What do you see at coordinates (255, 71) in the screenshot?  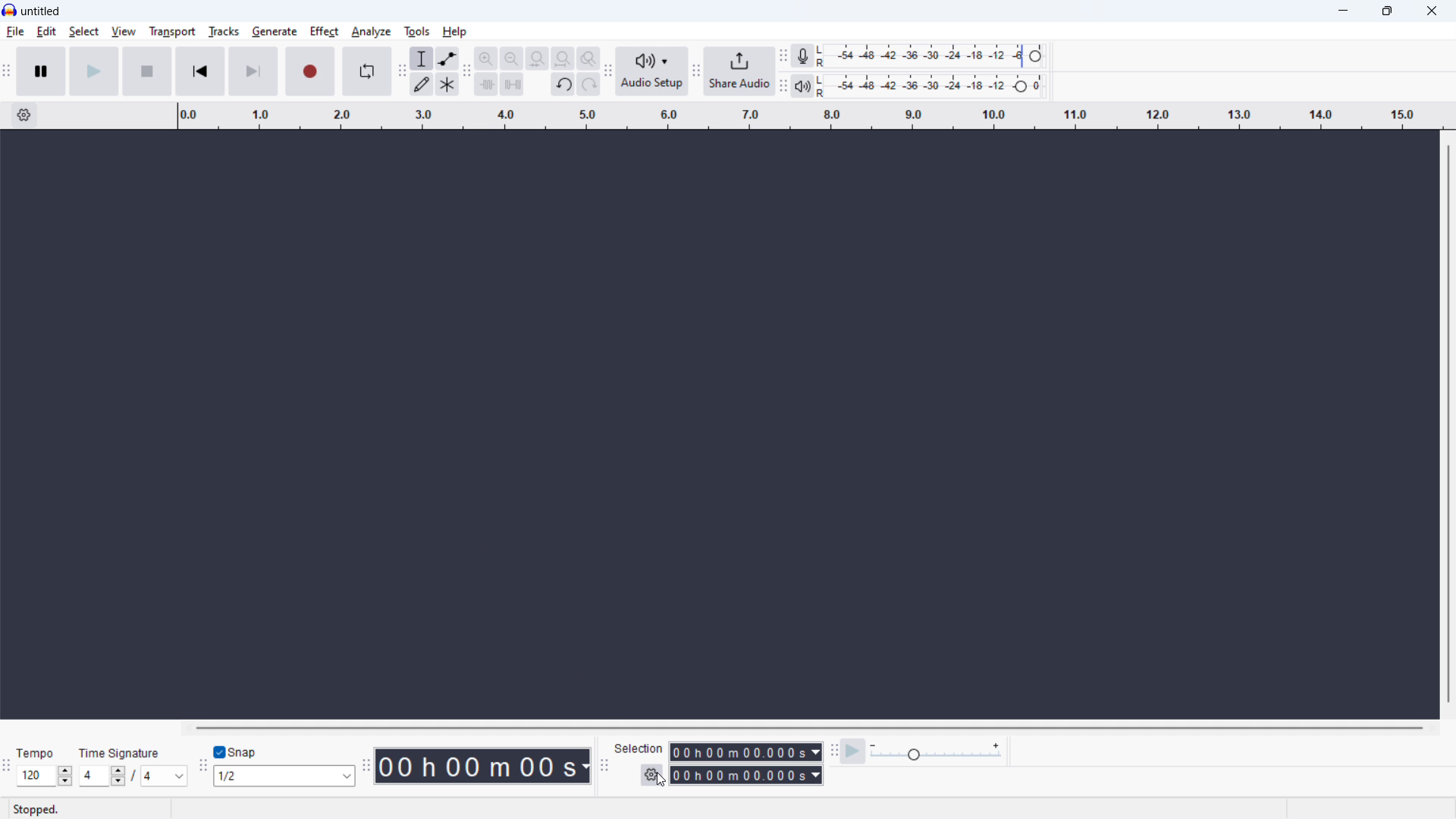 I see `skip to end` at bounding box center [255, 71].